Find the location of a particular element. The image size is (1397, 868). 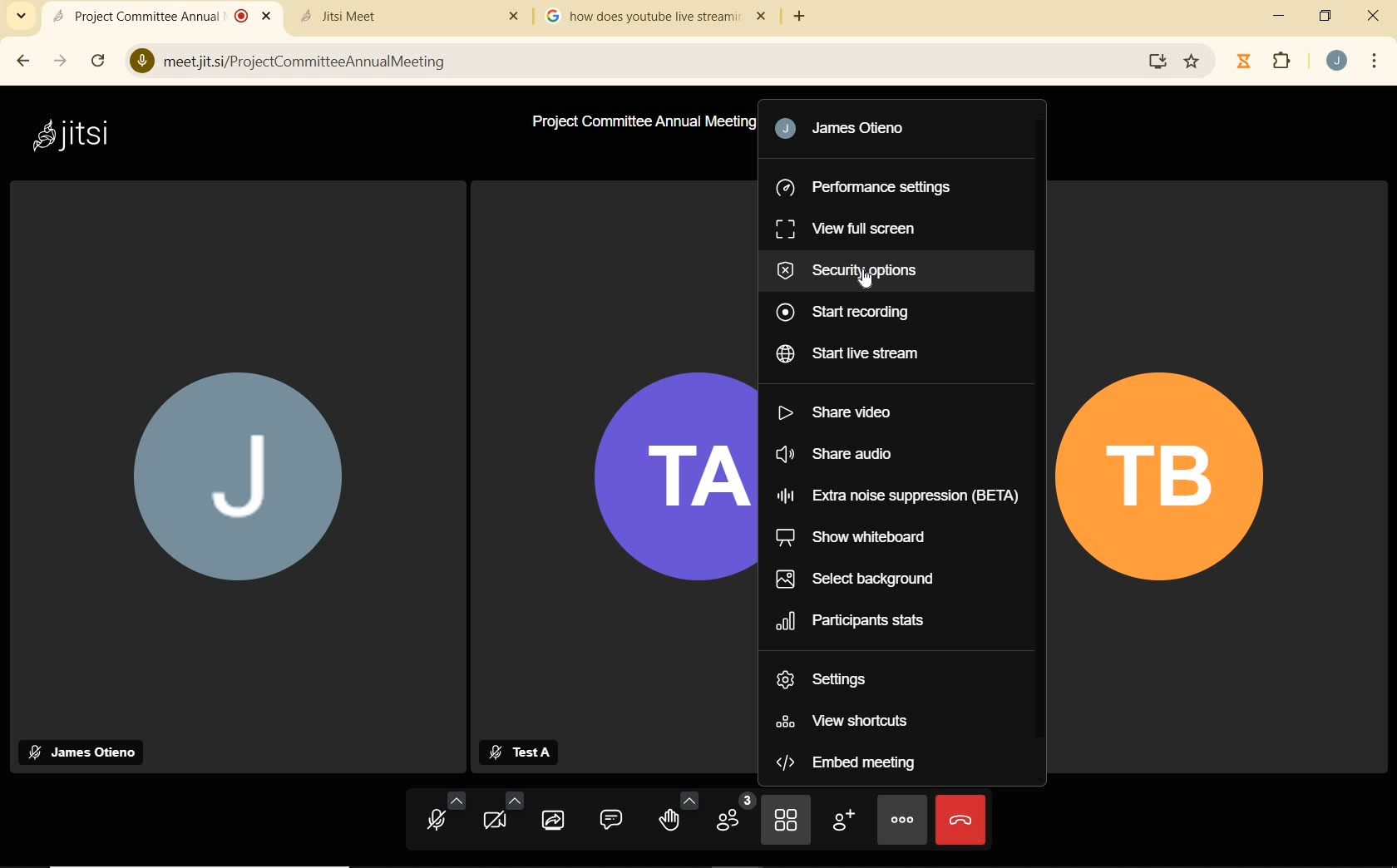

SELECT BACKGROUND is located at coordinates (855, 579).